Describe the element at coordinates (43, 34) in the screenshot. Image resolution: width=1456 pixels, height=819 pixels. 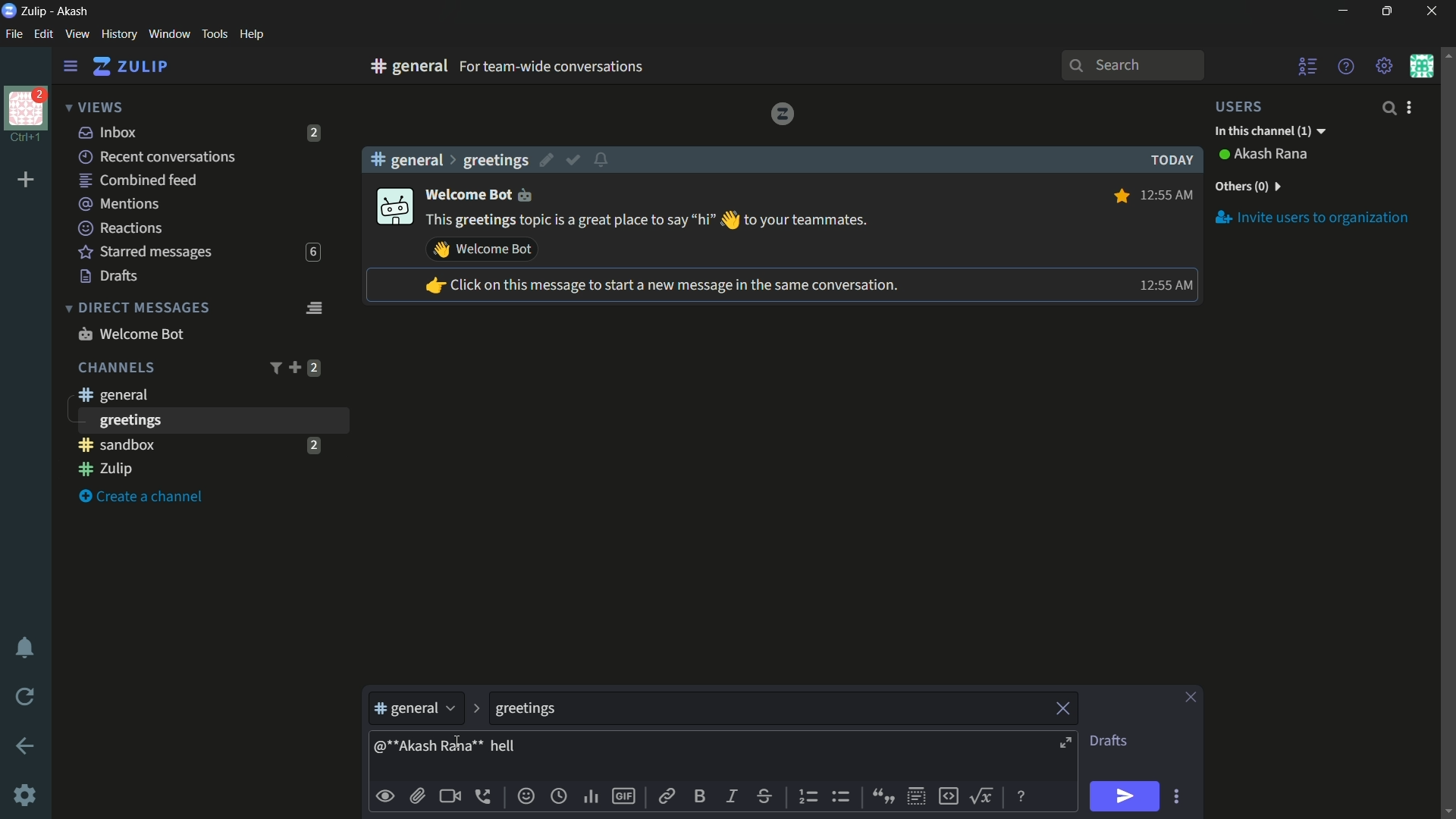
I see `edit menu` at that location.